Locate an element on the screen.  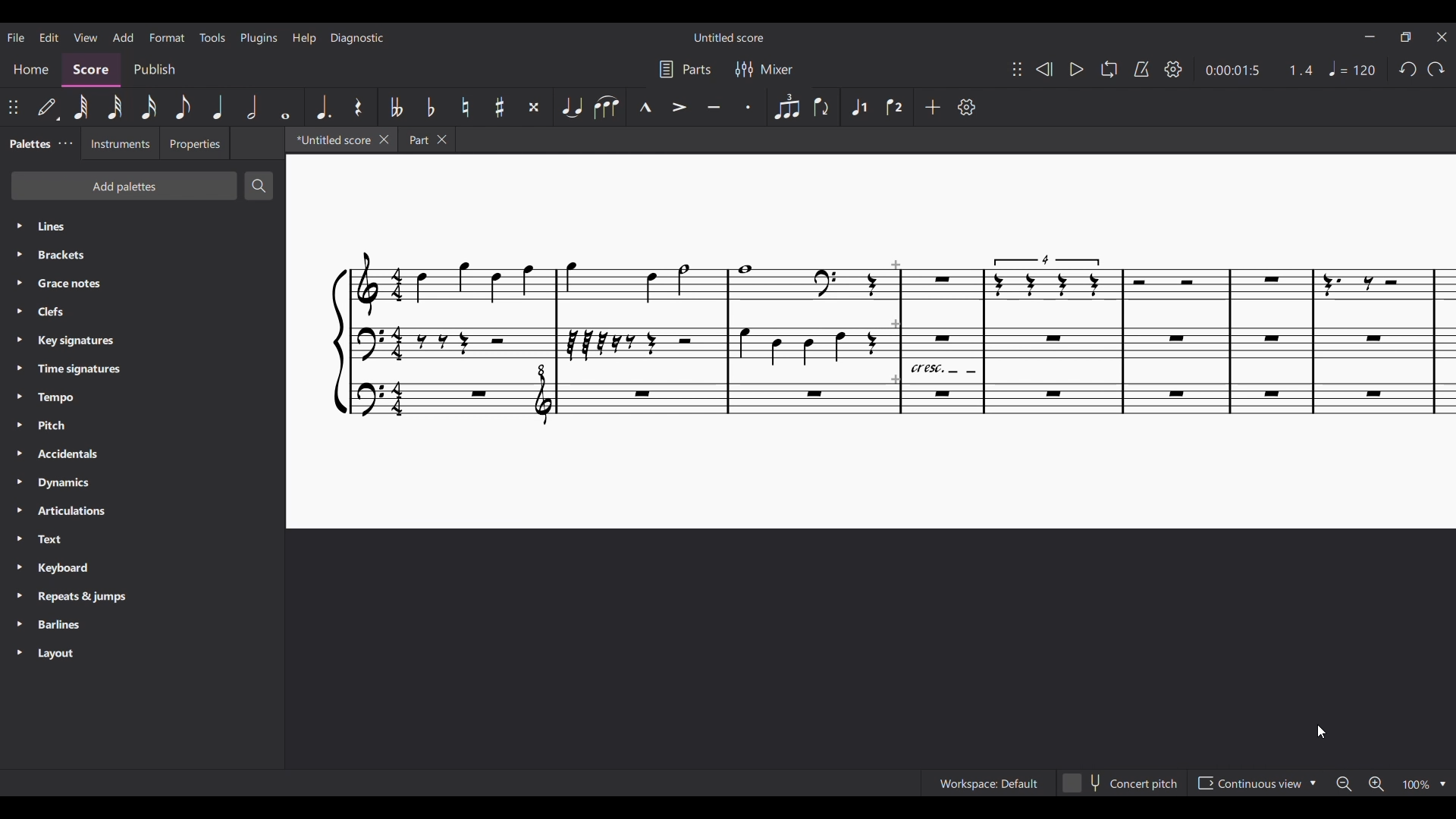
Augmentation dot is located at coordinates (322, 106).